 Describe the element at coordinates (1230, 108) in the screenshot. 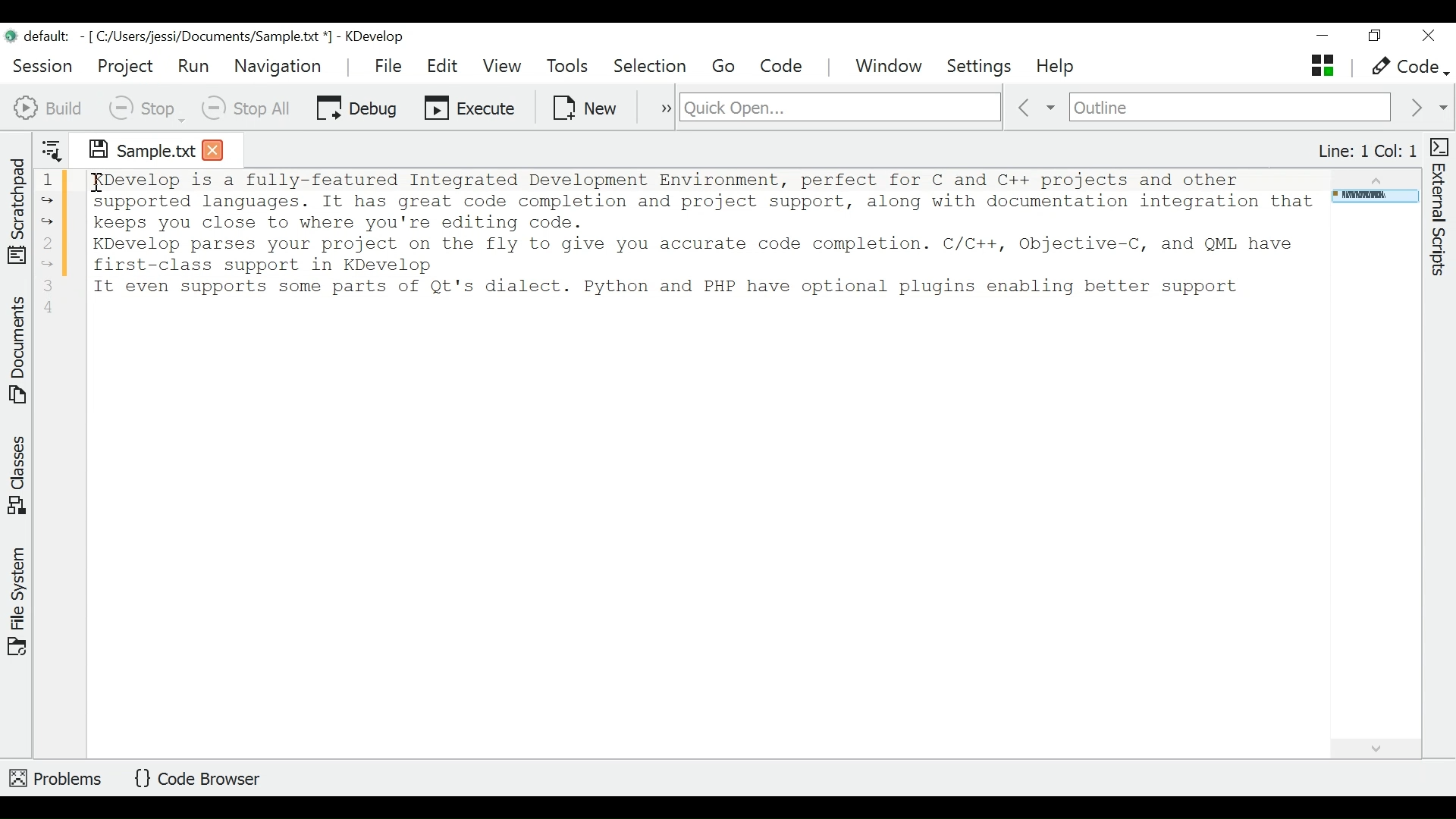

I see `Outline` at that location.